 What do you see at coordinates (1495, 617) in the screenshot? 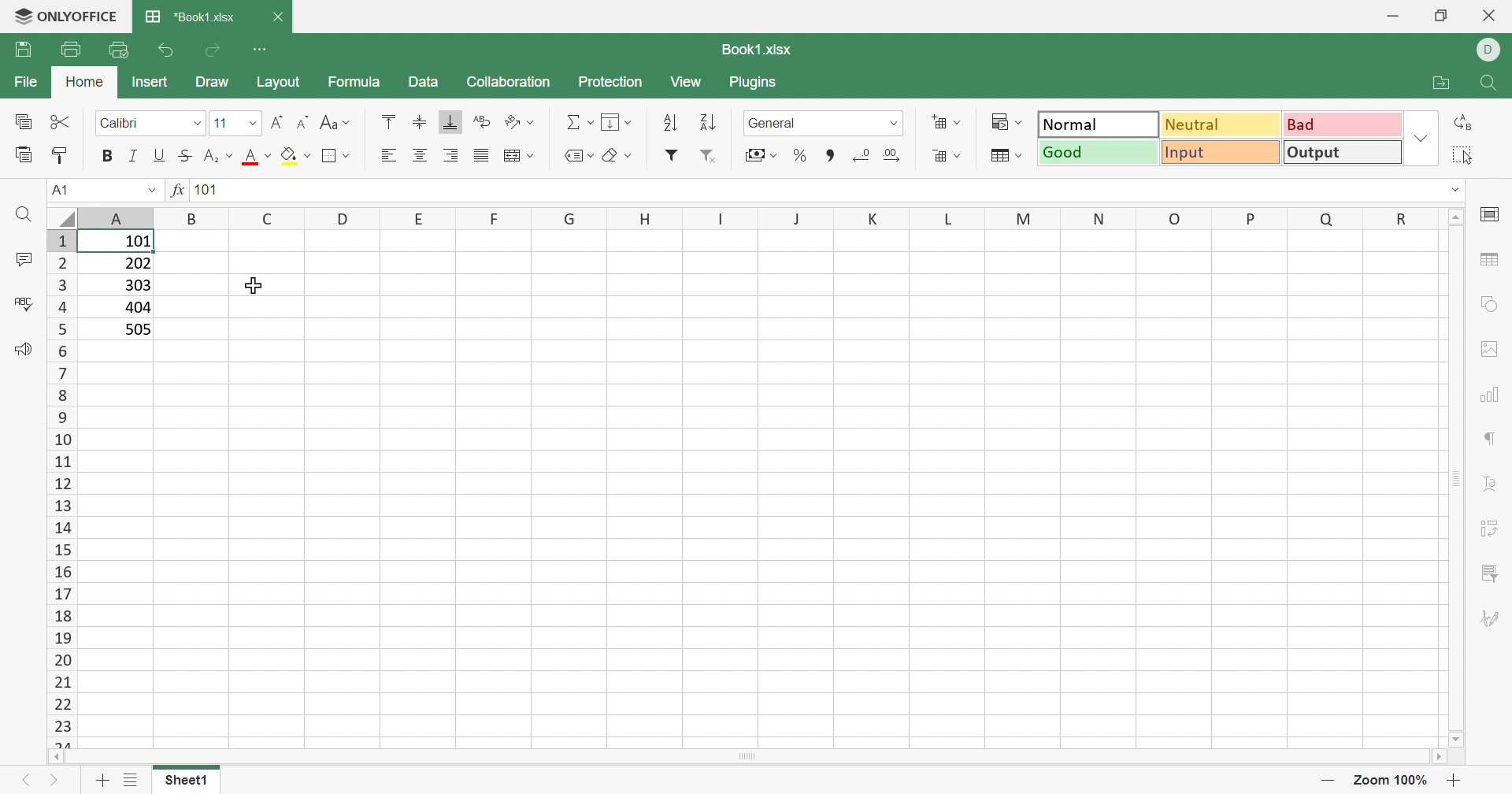
I see `Signature settings` at bounding box center [1495, 617].